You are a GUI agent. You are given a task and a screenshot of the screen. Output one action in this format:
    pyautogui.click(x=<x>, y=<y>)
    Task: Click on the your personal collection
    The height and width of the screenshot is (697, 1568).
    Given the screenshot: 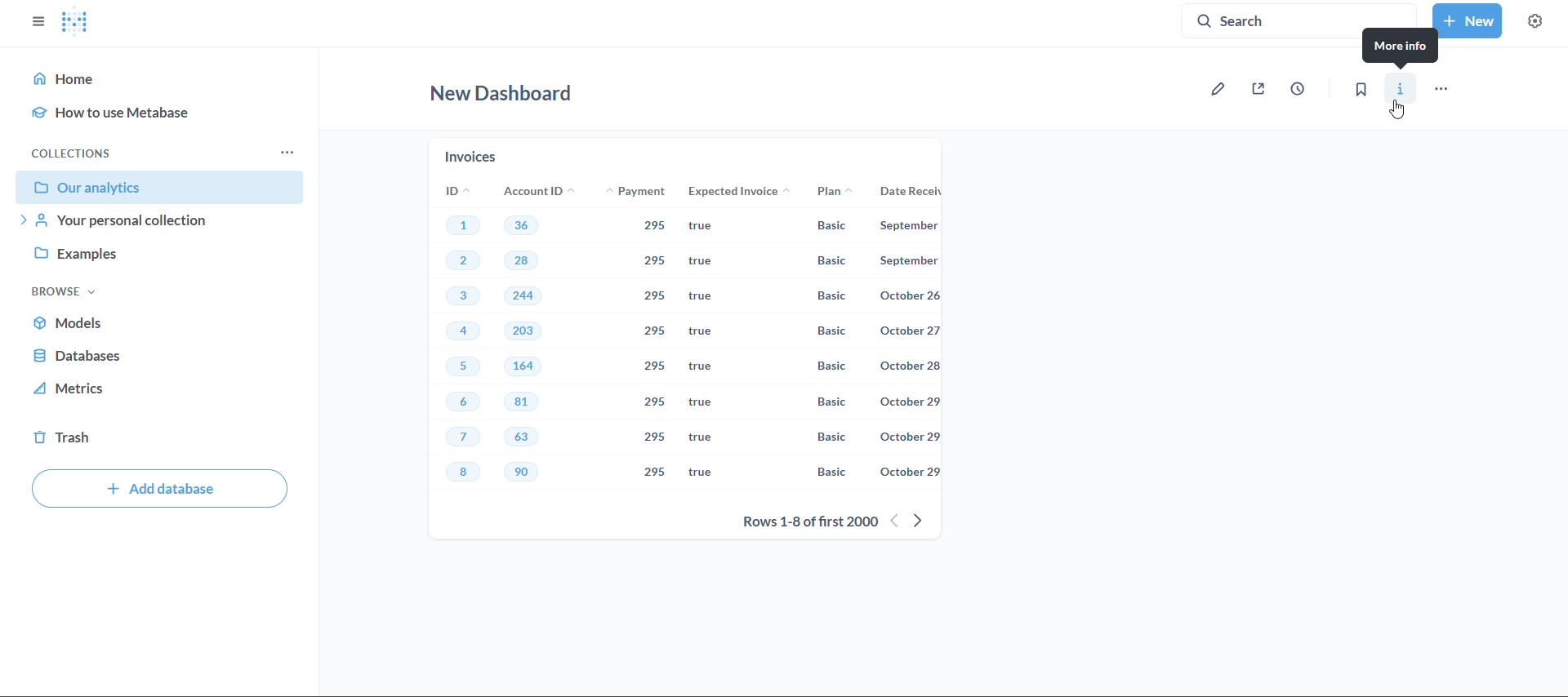 What is the action you would take?
    pyautogui.click(x=158, y=223)
    